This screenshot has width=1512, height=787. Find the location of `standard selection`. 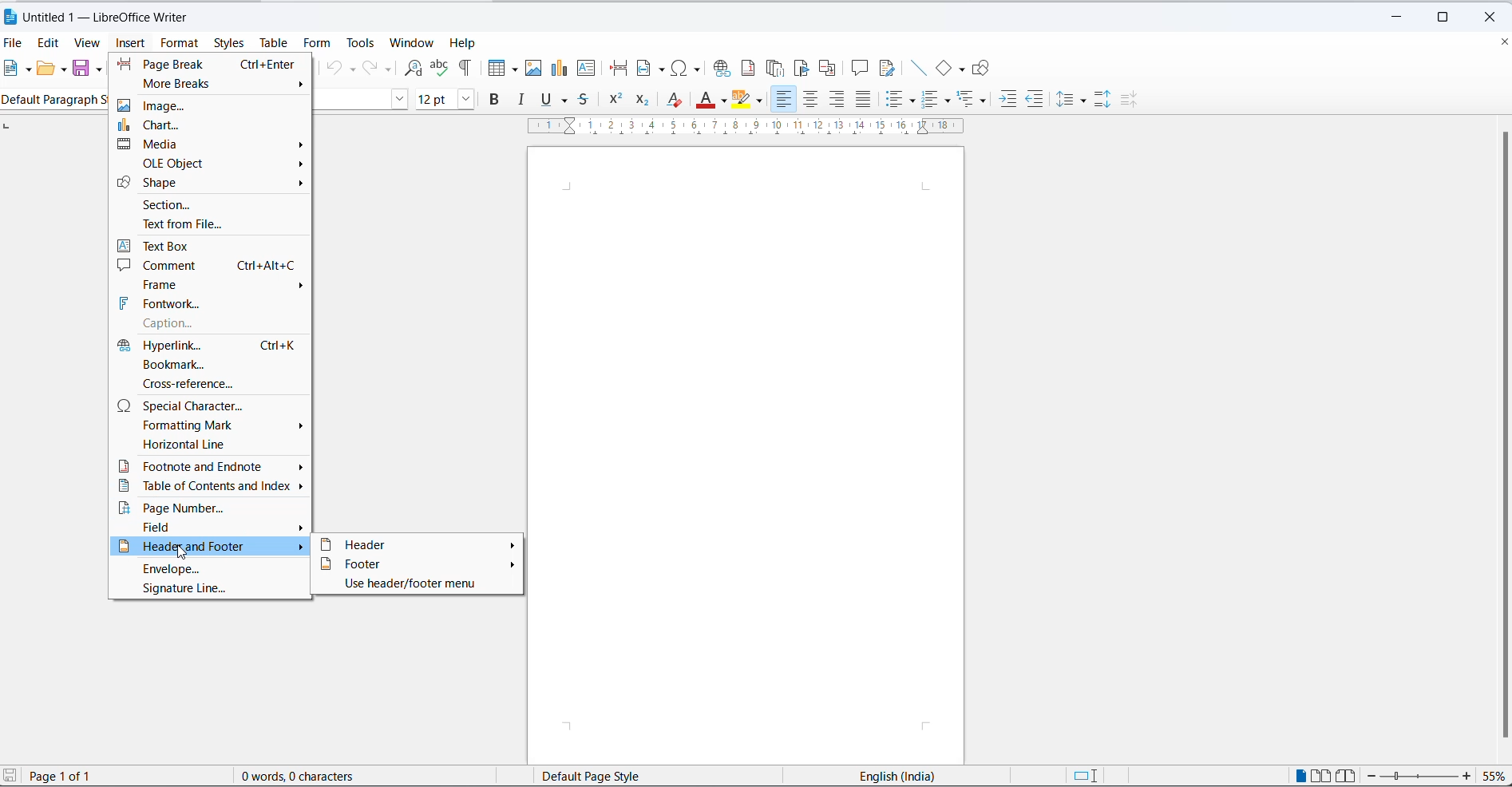

standard selection is located at coordinates (1088, 777).